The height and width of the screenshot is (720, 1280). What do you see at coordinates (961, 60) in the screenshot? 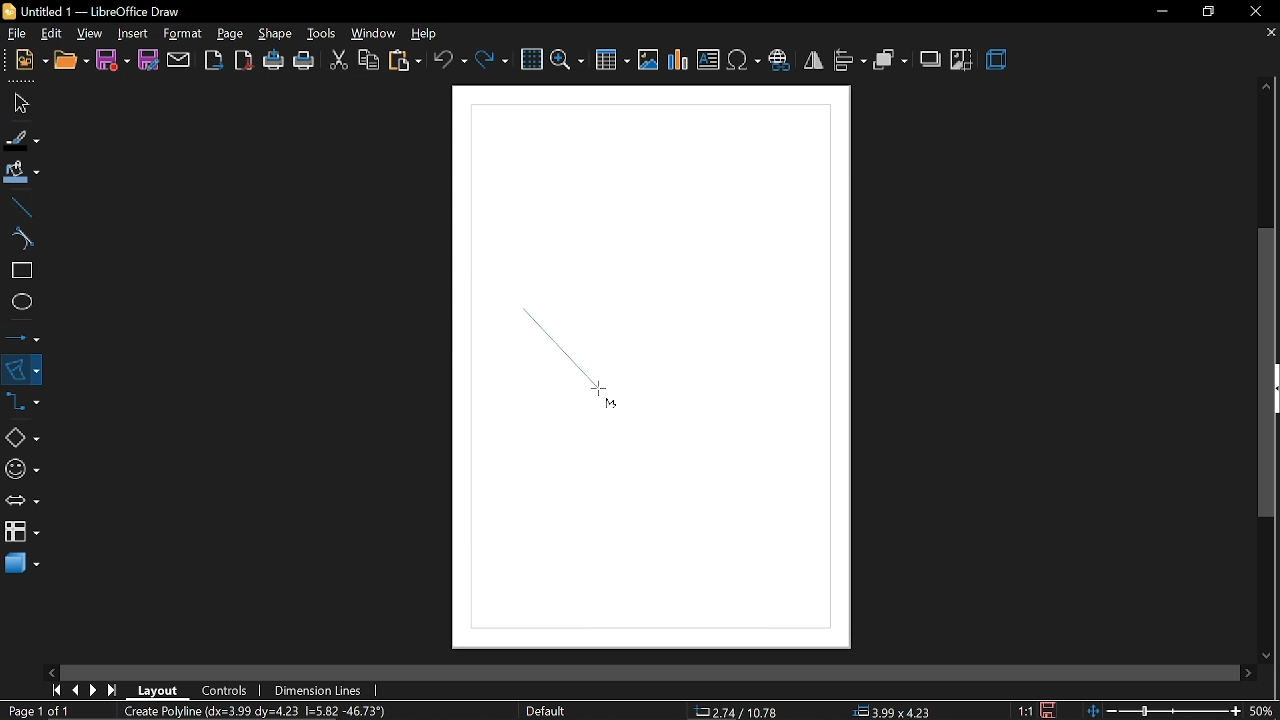
I see `crop` at bounding box center [961, 60].